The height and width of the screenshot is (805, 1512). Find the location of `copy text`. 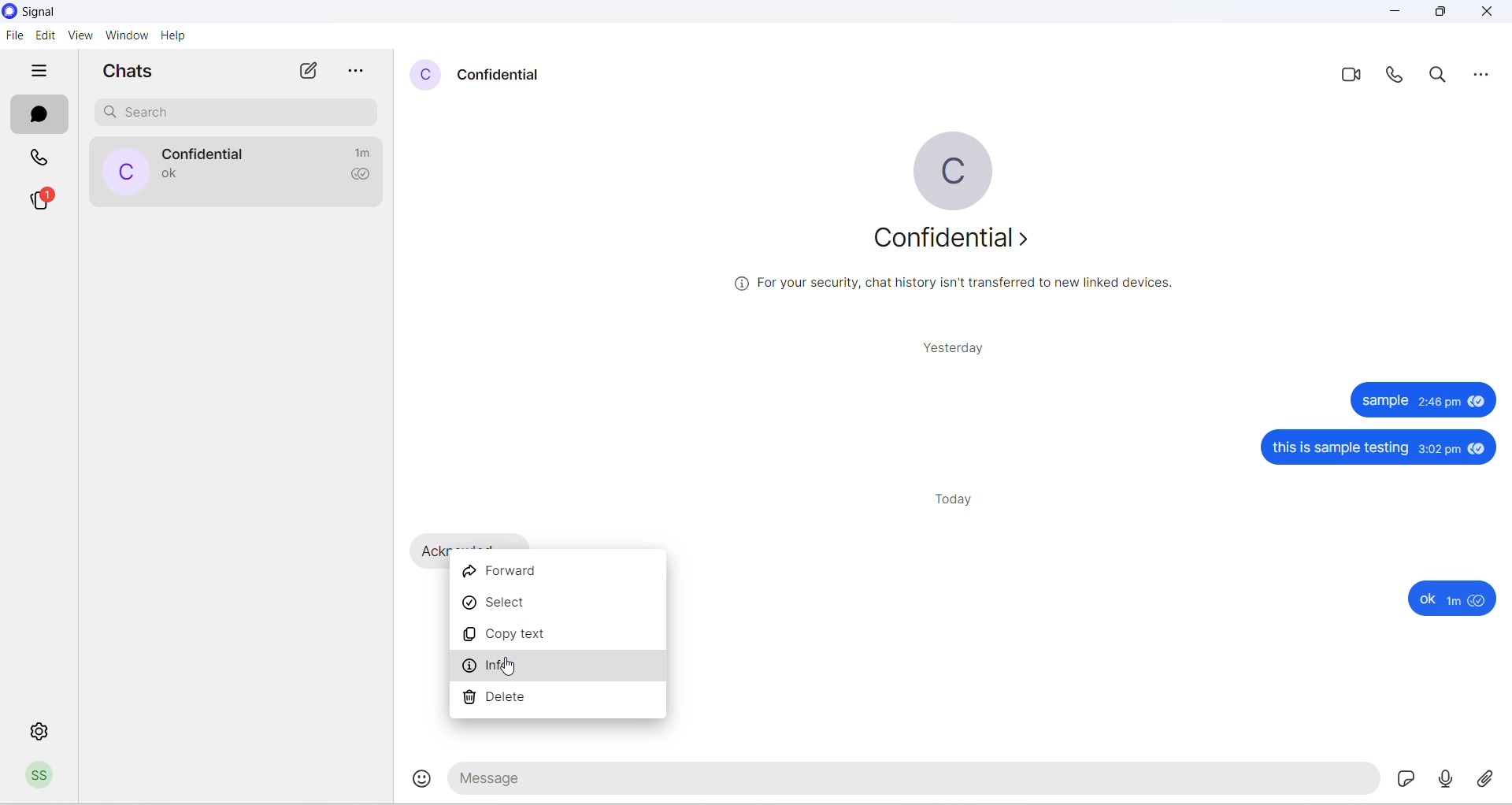

copy text is located at coordinates (558, 640).